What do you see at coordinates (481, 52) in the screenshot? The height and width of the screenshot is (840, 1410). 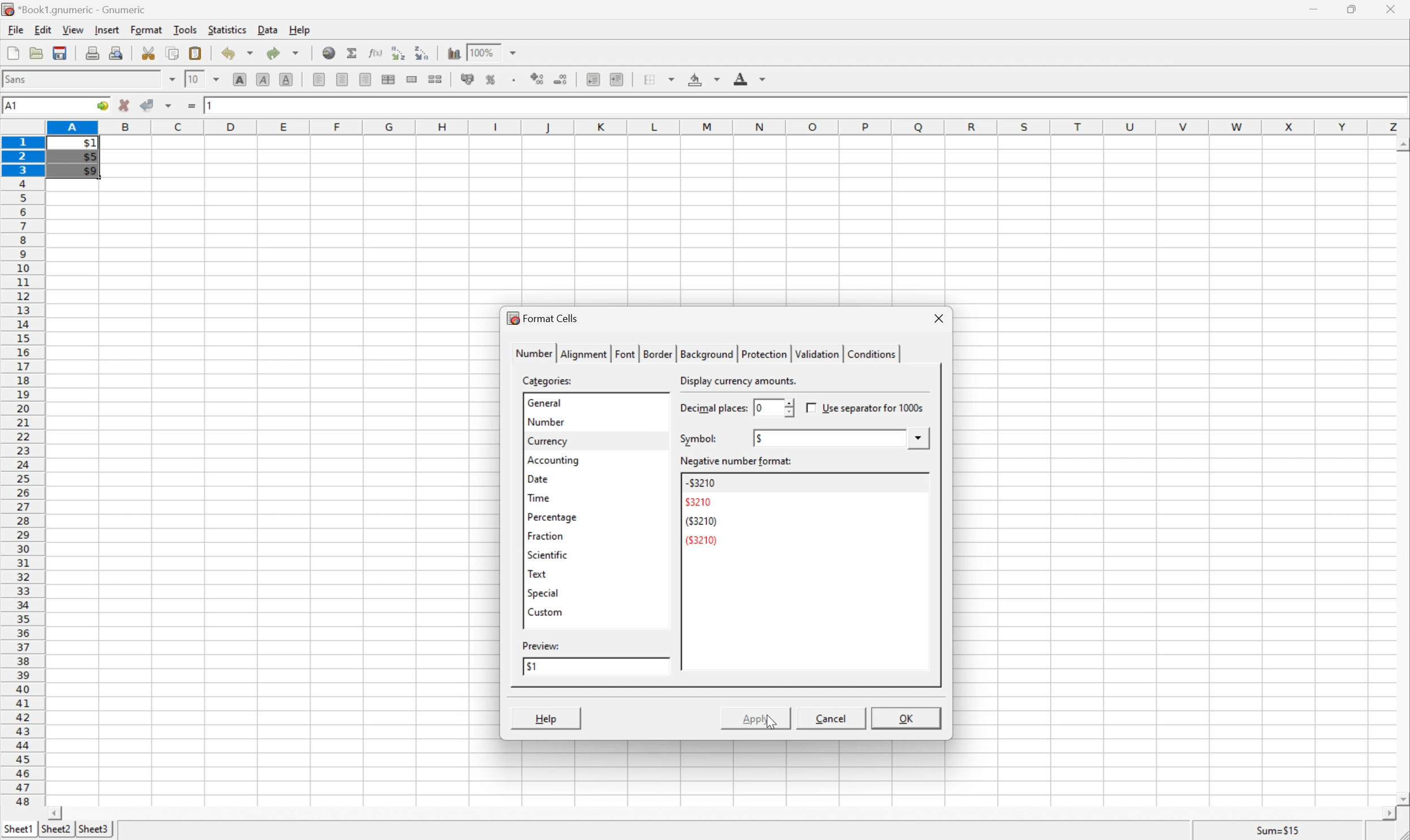 I see `100%` at bounding box center [481, 52].